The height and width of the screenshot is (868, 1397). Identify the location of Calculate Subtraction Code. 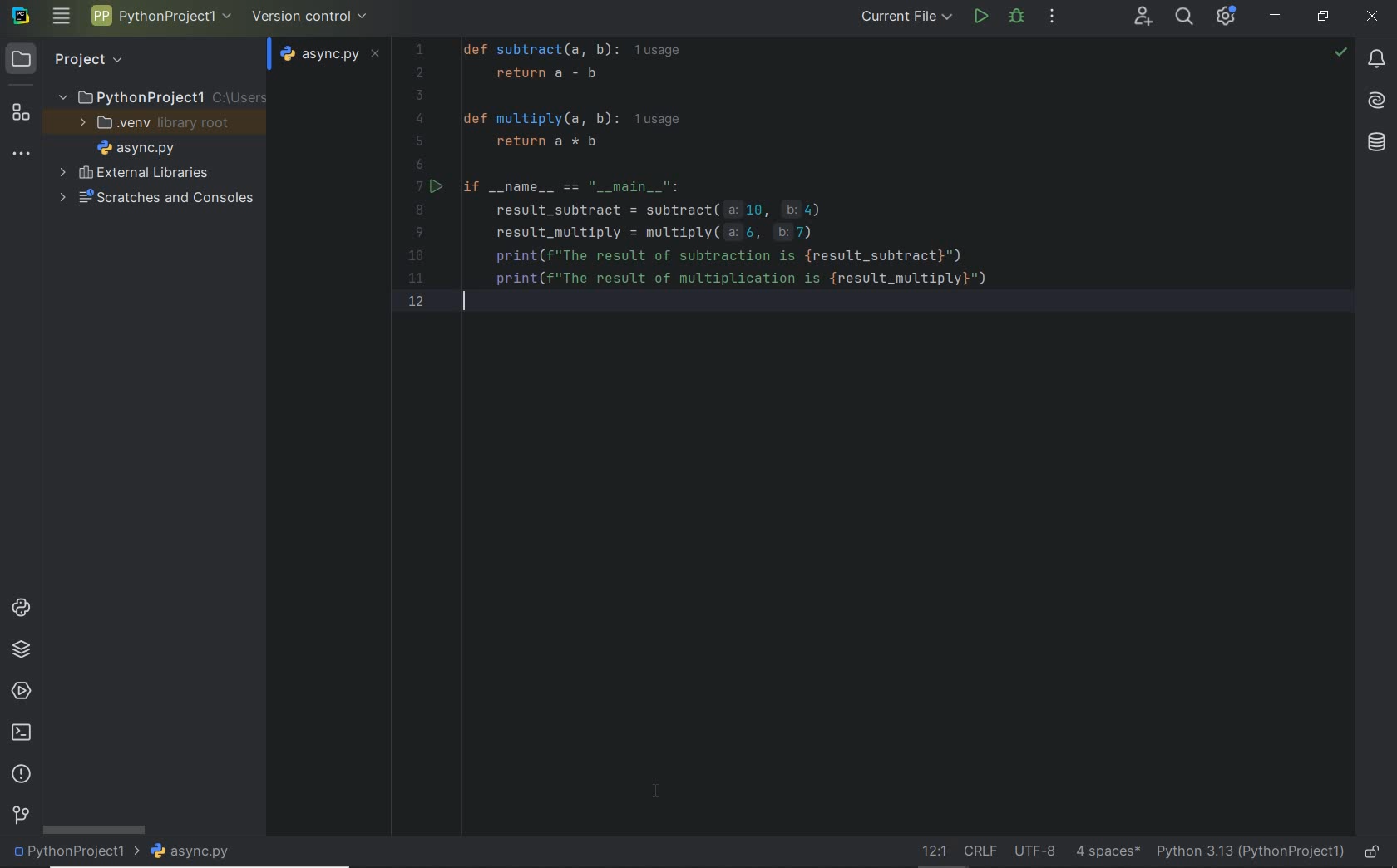
(856, 178).